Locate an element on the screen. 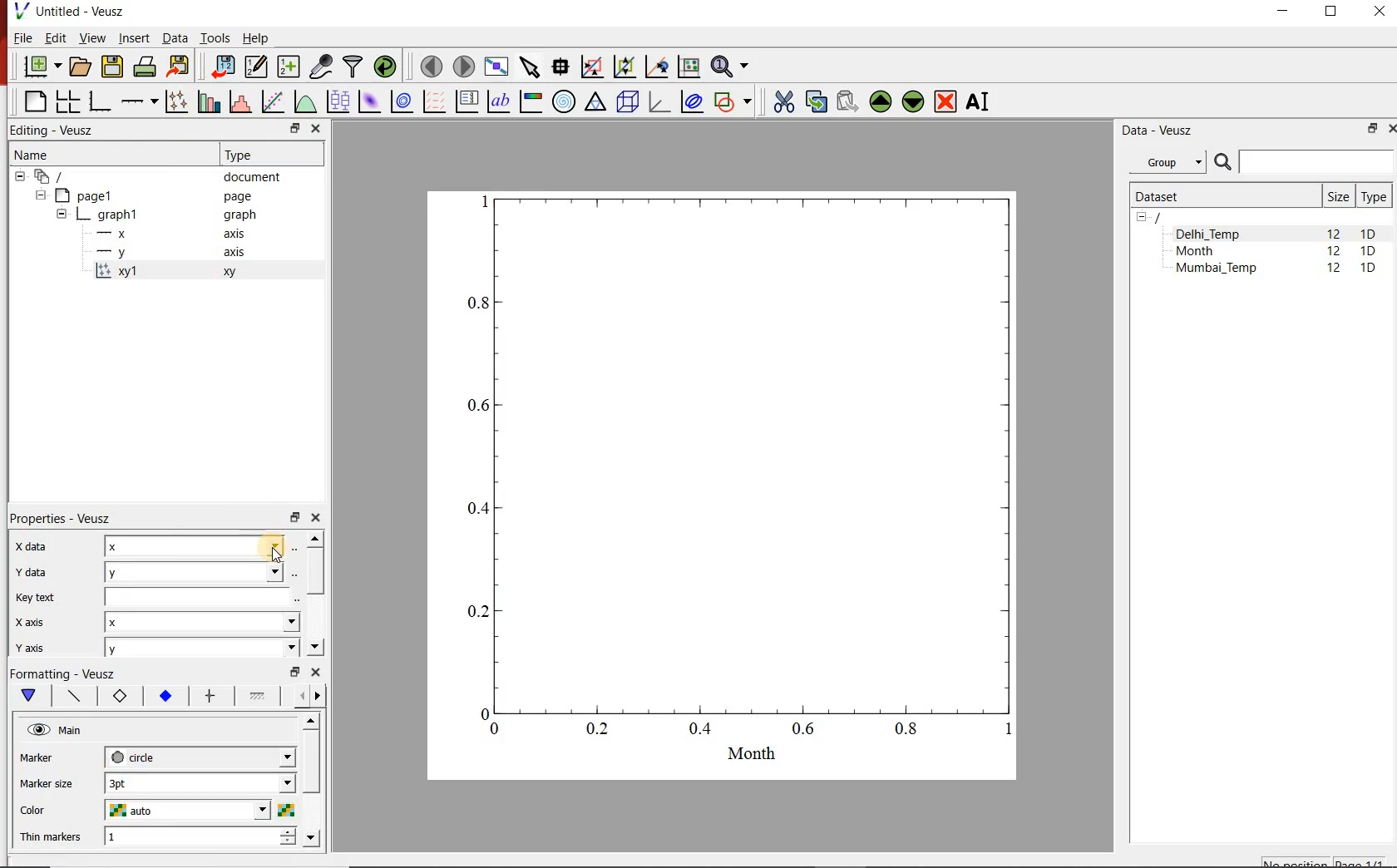 The width and height of the screenshot is (1397, 868). circle is located at coordinates (200, 757).